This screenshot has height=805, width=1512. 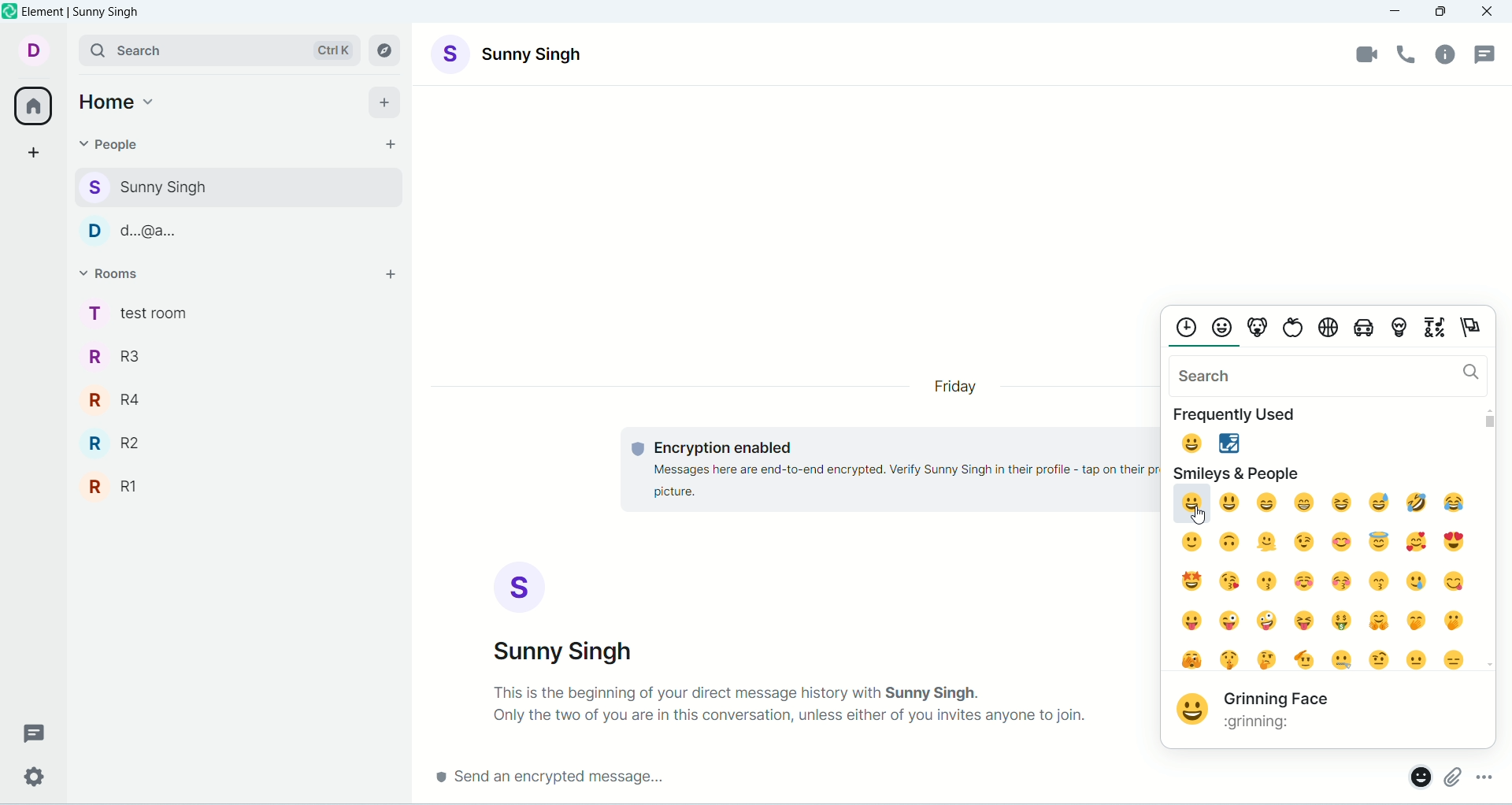 What do you see at coordinates (1331, 325) in the screenshot?
I see `emoji categories` at bounding box center [1331, 325].